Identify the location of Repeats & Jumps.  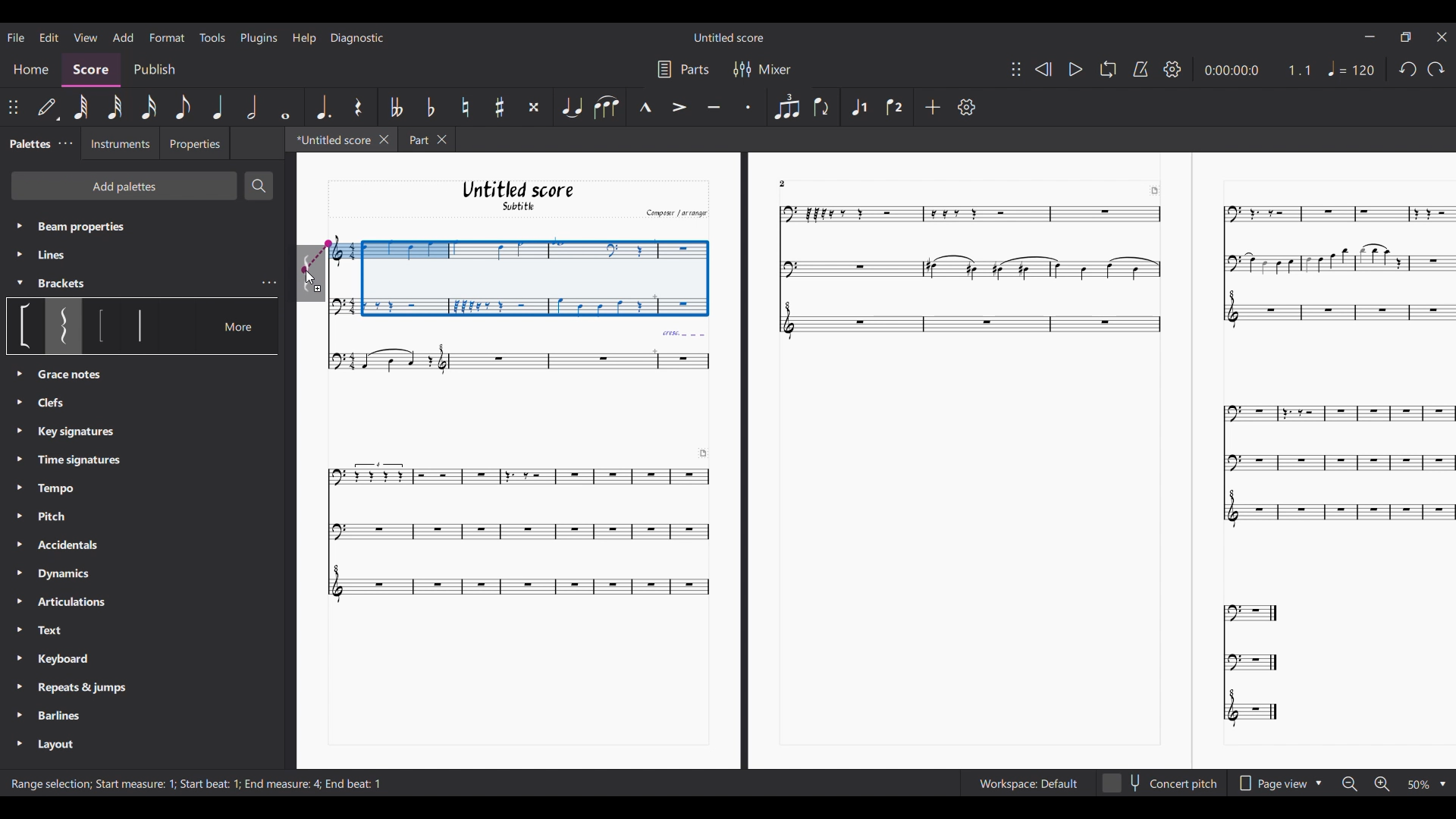
(82, 687).